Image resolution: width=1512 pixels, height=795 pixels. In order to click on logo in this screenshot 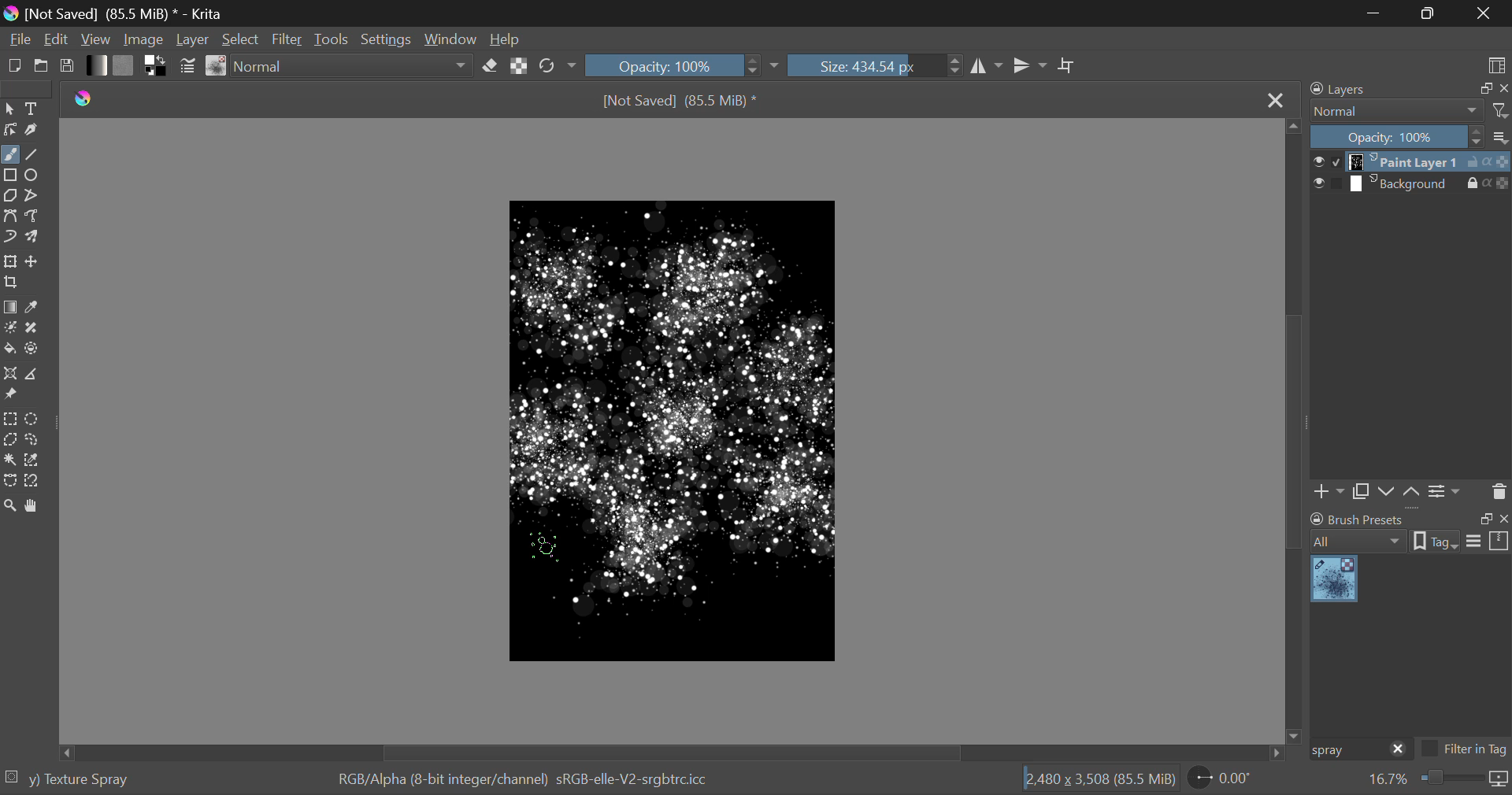, I will do `click(84, 99)`.